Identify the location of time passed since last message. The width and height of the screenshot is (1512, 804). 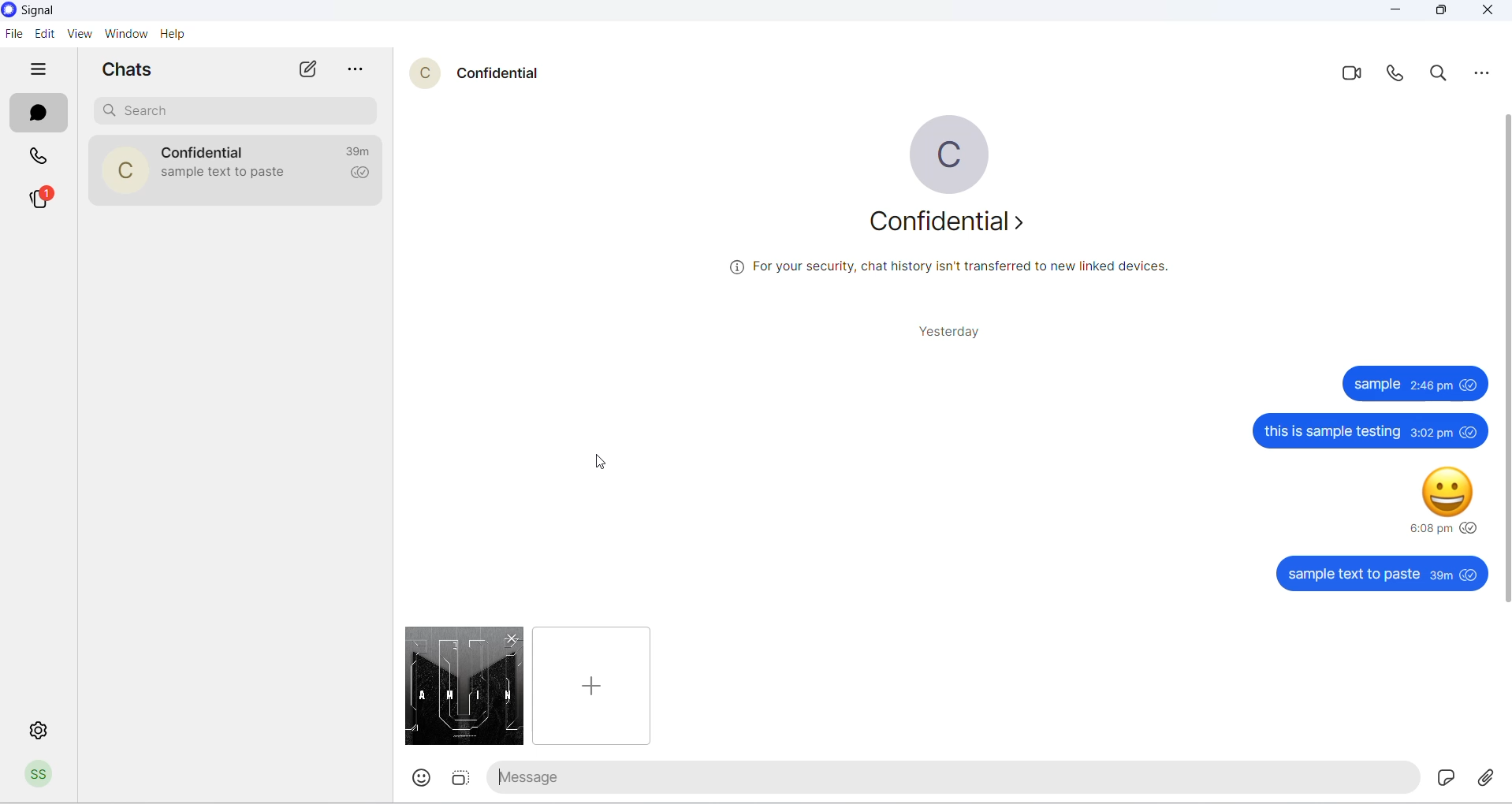
(362, 152).